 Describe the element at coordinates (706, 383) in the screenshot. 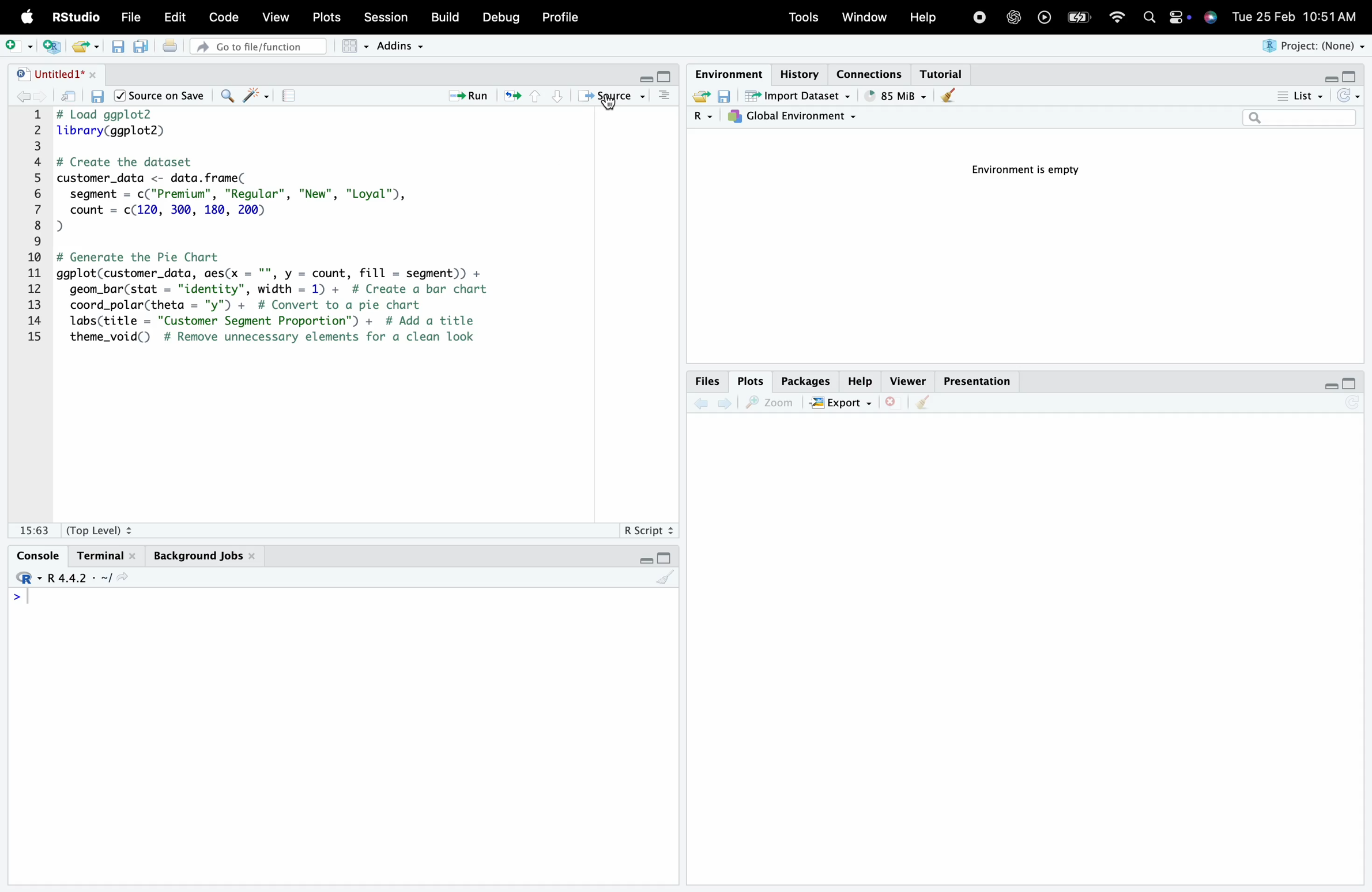

I see `Files` at that location.